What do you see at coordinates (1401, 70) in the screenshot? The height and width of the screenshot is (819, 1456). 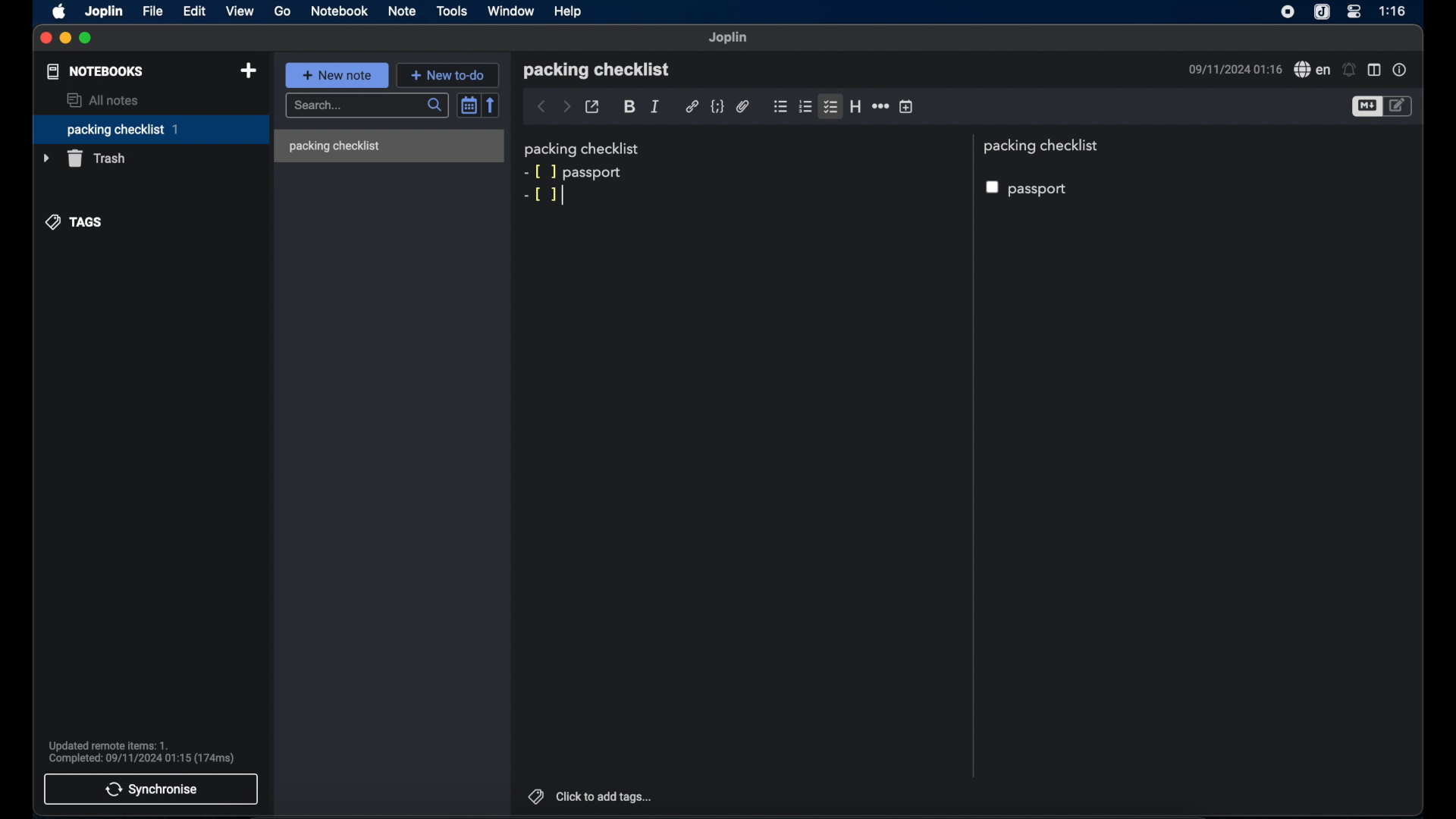 I see `note properties` at bounding box center [1401, 70].